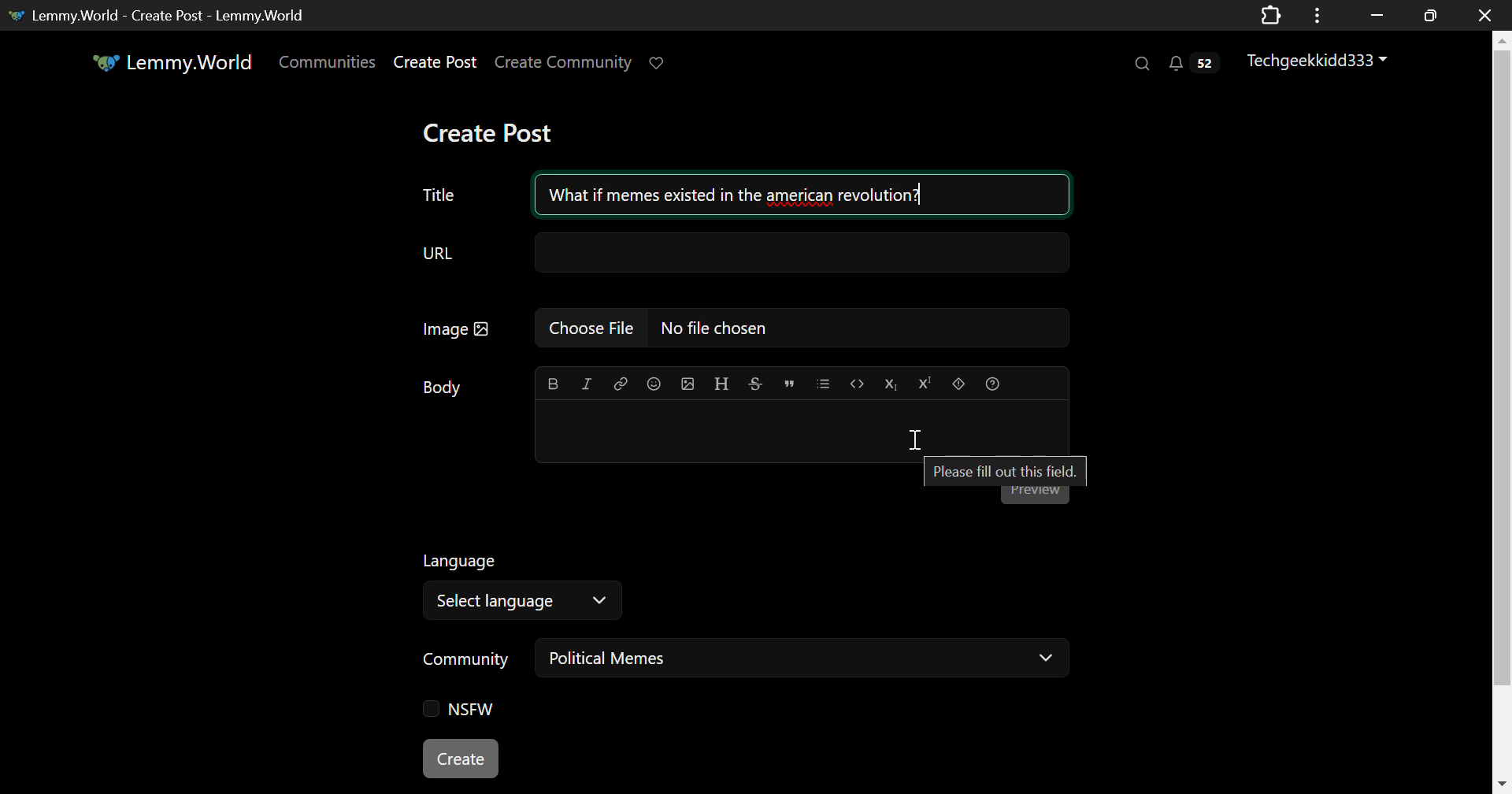  What do you see at coordinates (441, 194) in the screenshot?
I see `Post Title Text Field` at bounding box center [441, 194].